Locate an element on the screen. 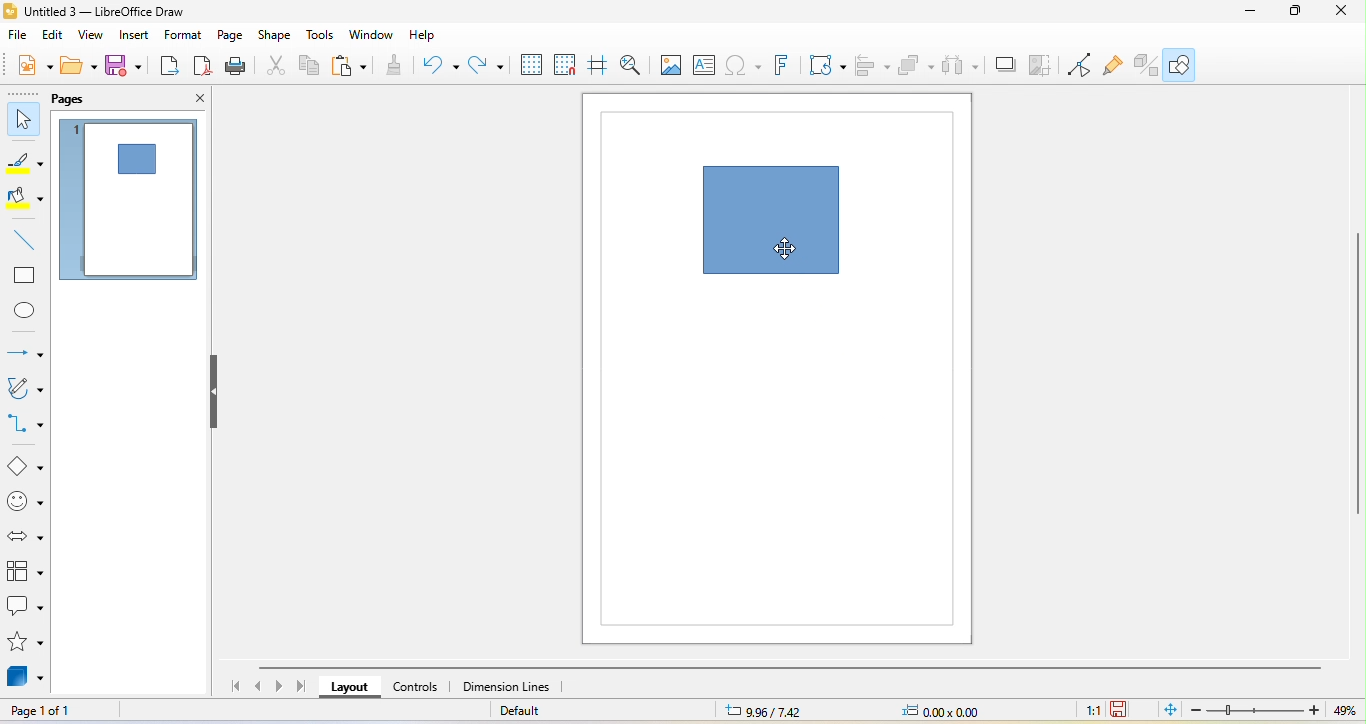 This screenshot has width=1366, height=724. select is located at coordinates (22, 121).